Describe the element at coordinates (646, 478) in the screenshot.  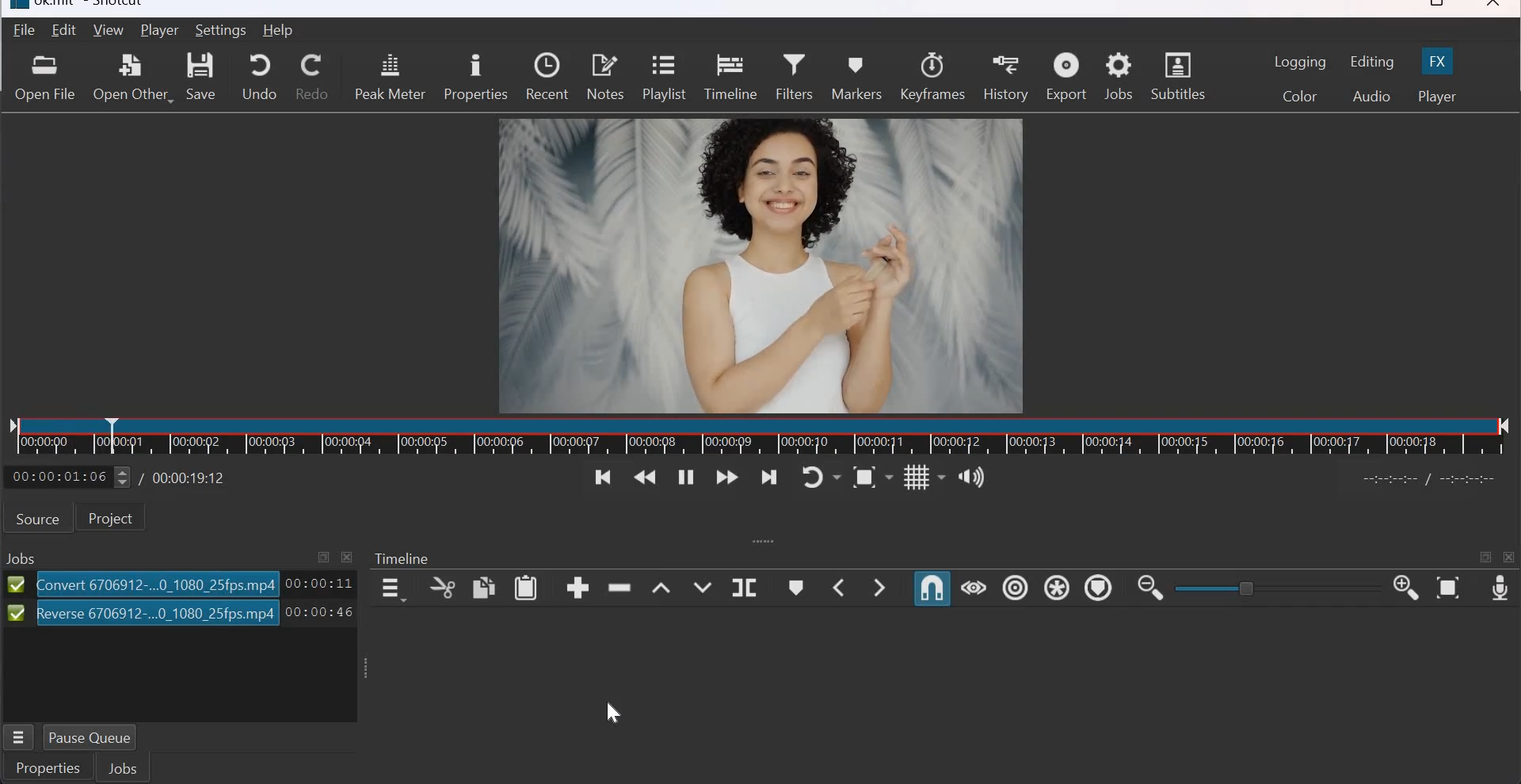
I see `Play quickly backwards` at that location.